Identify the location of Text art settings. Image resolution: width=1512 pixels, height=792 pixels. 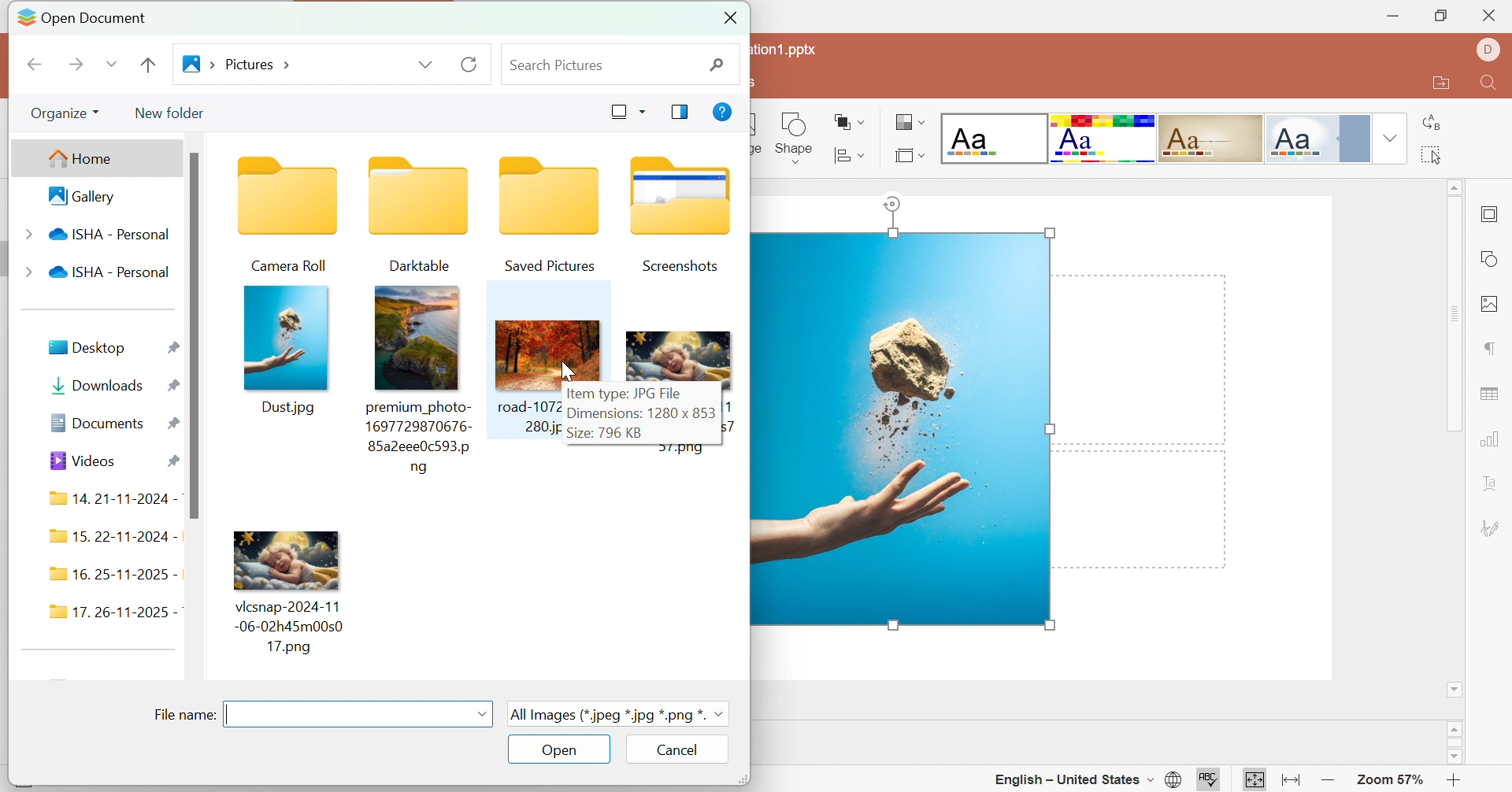
(1493, 483).